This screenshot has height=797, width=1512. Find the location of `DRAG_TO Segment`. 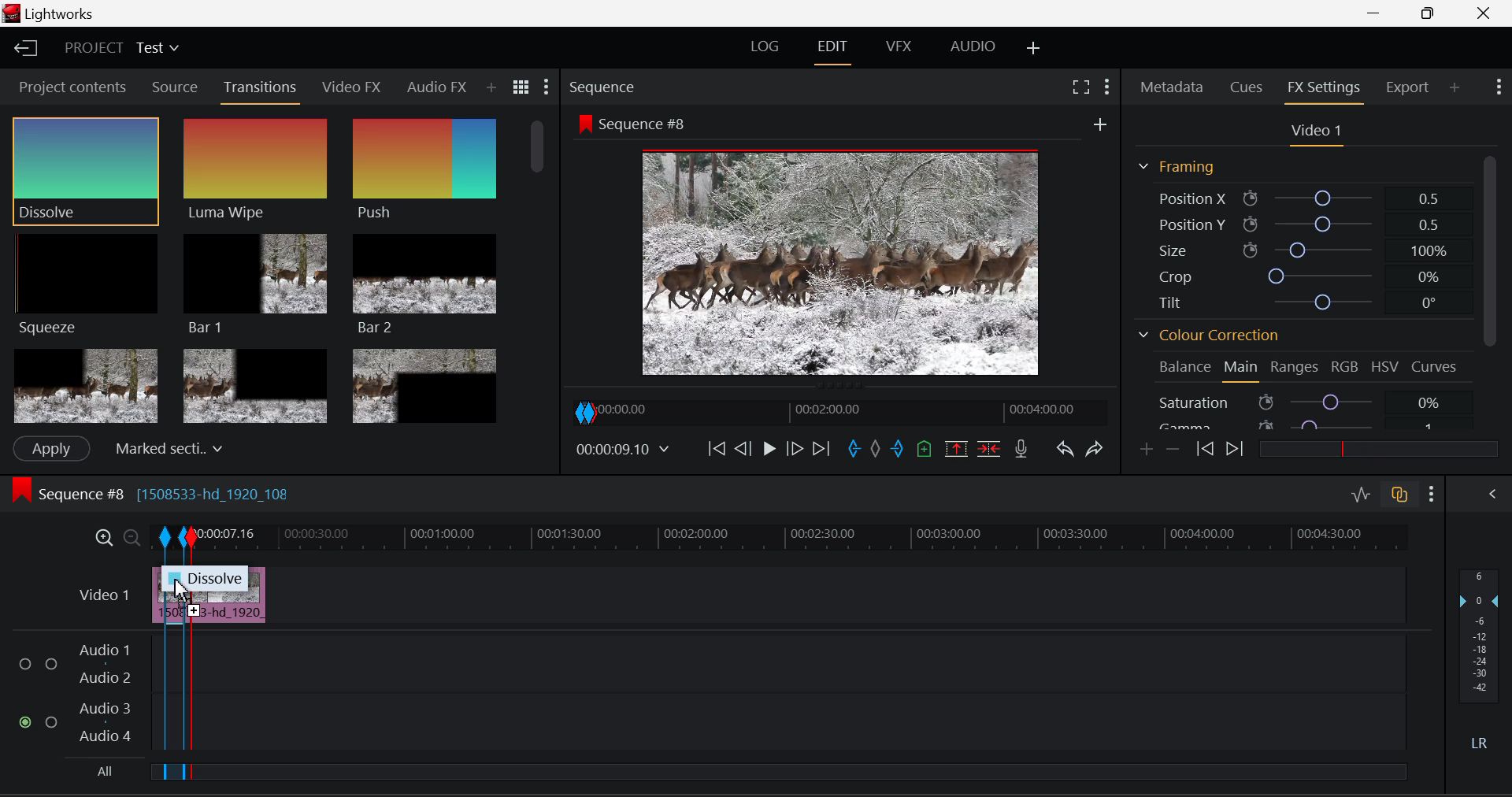

DRAG_TO Segment is located at coordinates (175, 597).